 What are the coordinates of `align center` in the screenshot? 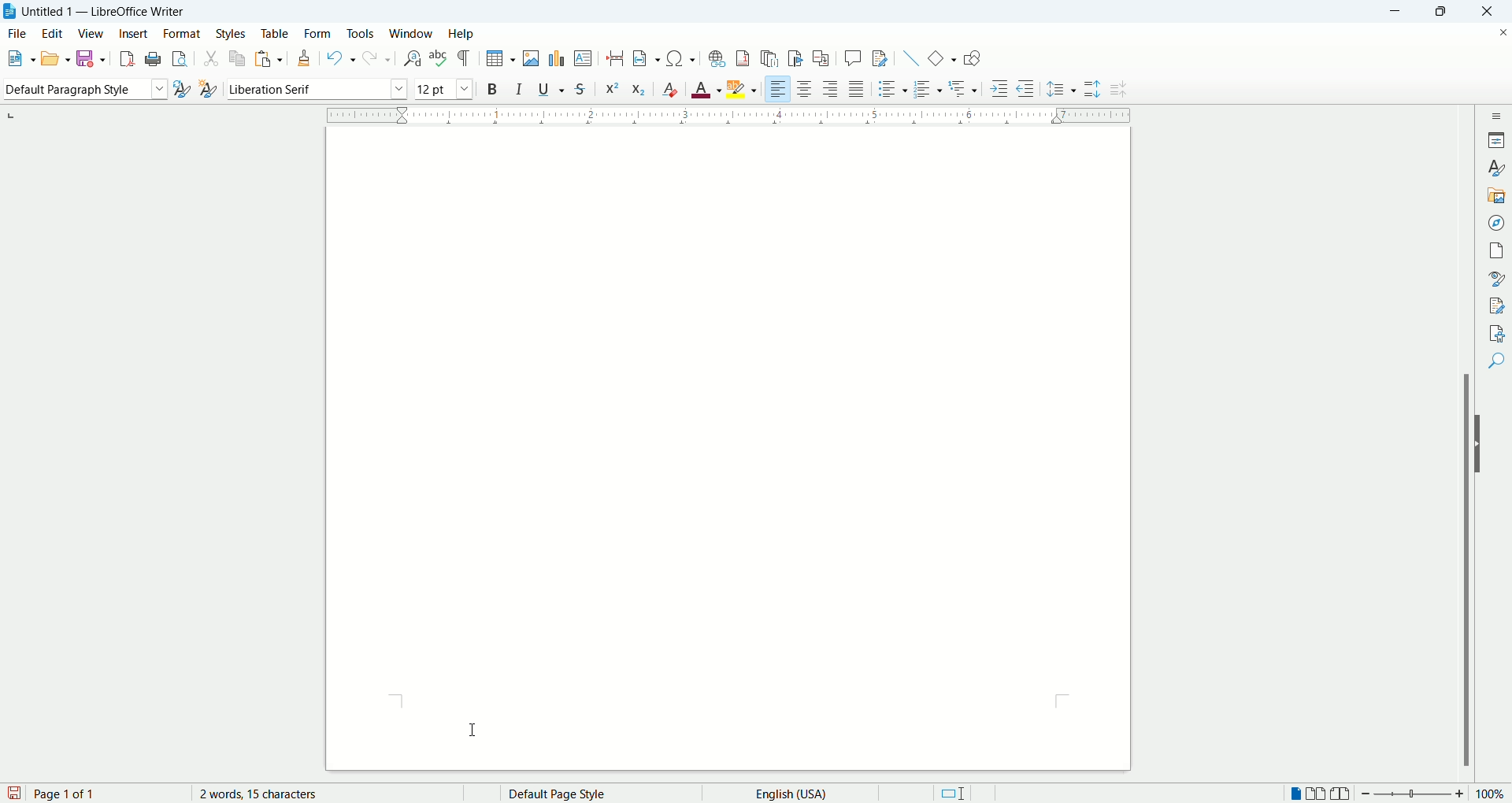 It's located at (809, 90).